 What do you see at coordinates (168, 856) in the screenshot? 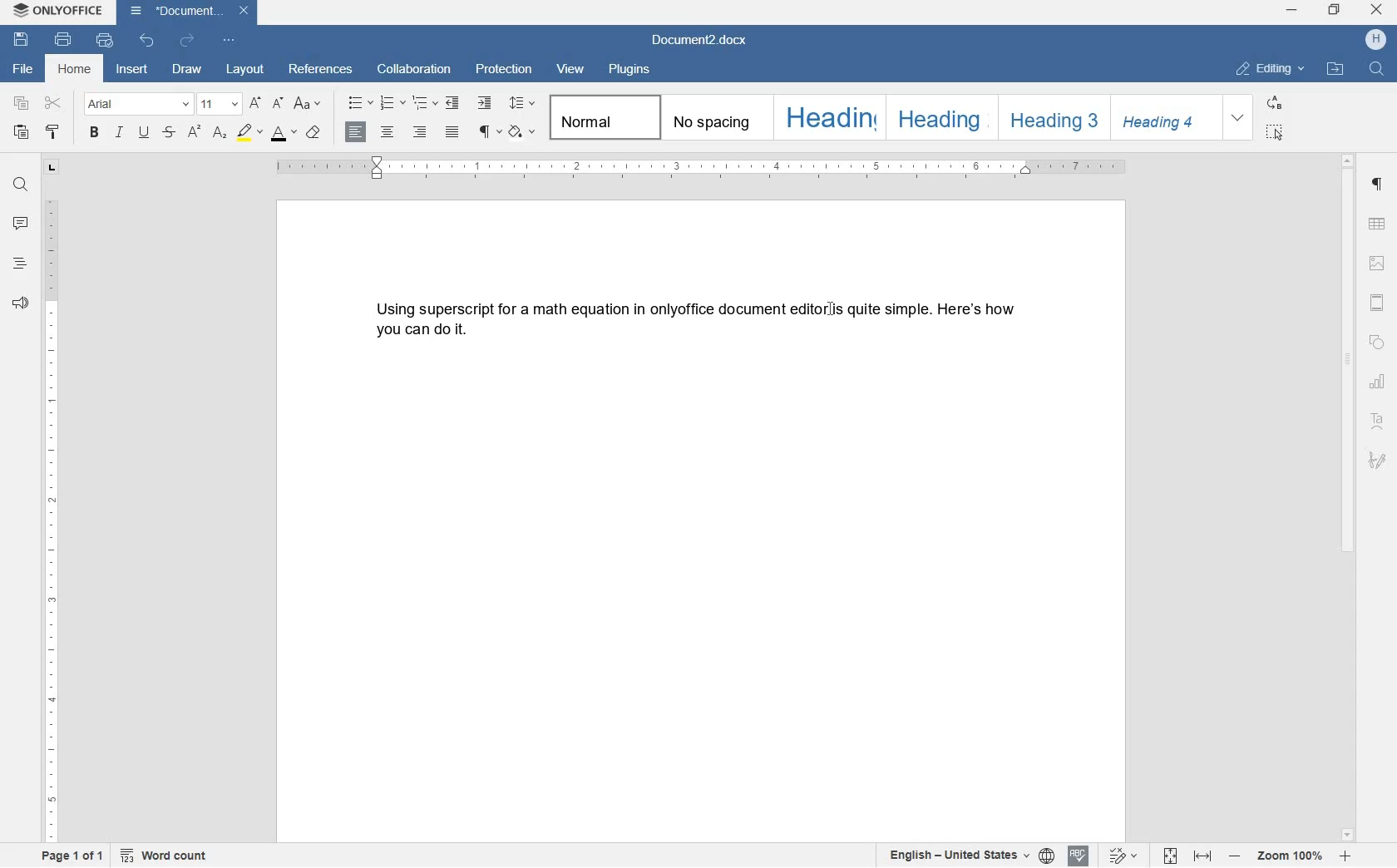
I see `word count` at bounding box center [168, 856].